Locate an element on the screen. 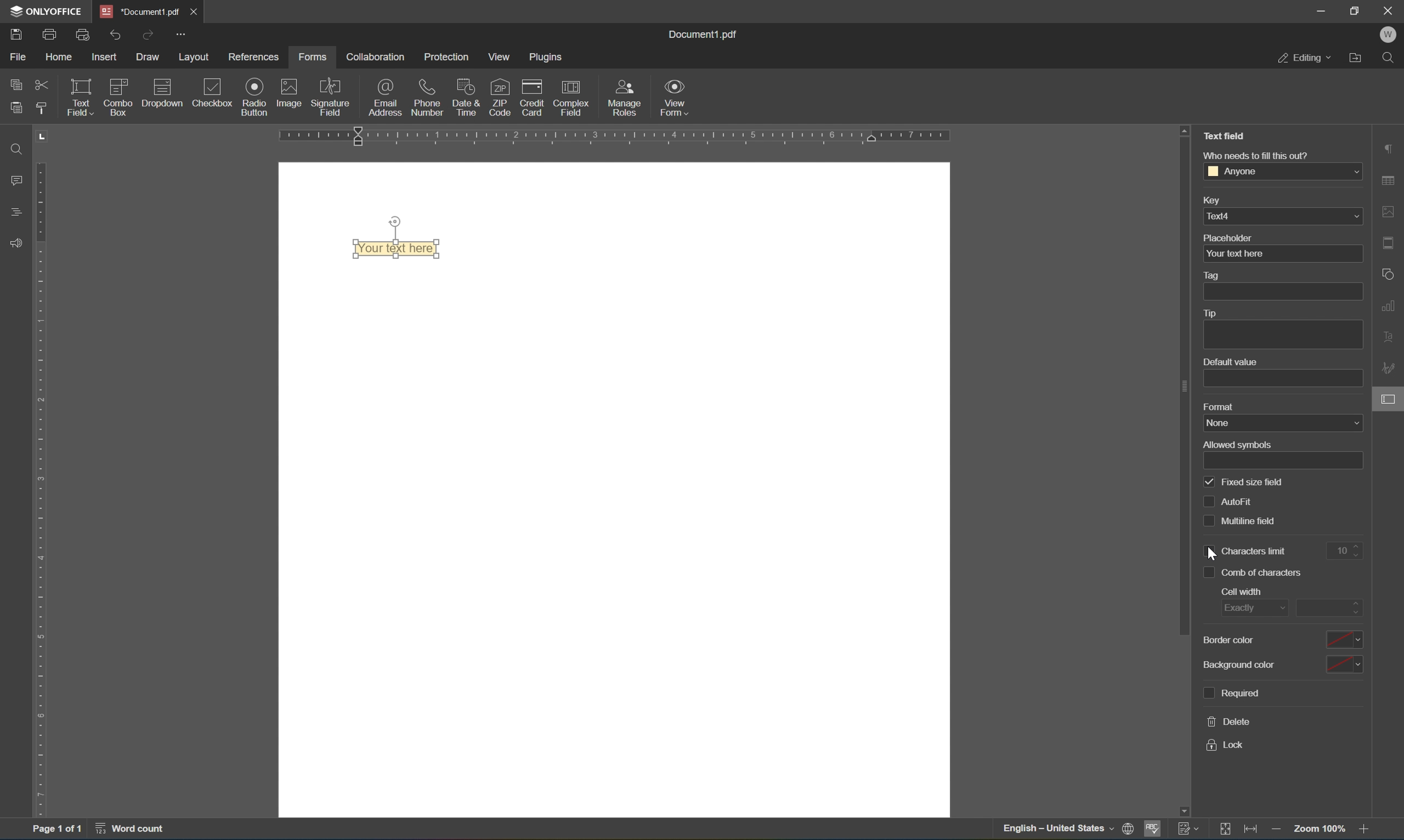 The height and width of the screenshot is (840, 1404). multiline fit is located at coordinates (1252, 522).